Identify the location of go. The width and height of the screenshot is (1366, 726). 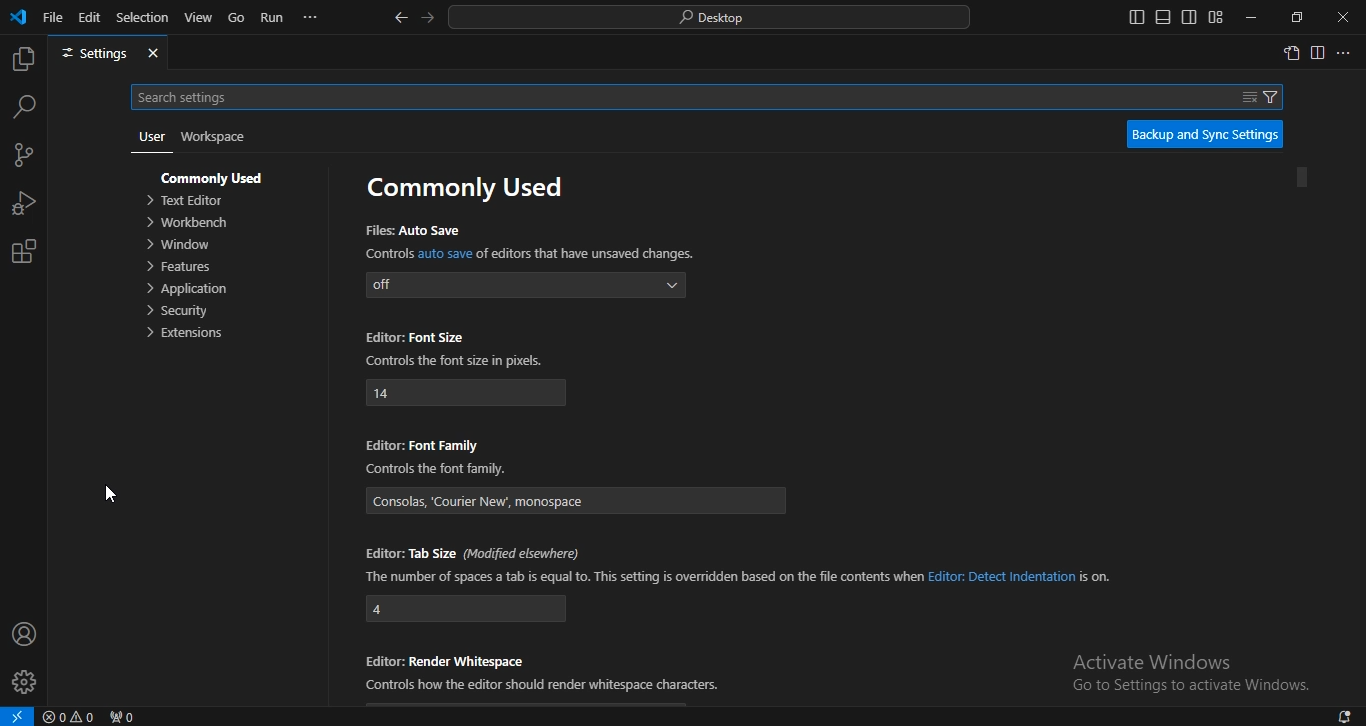
(236, 19).